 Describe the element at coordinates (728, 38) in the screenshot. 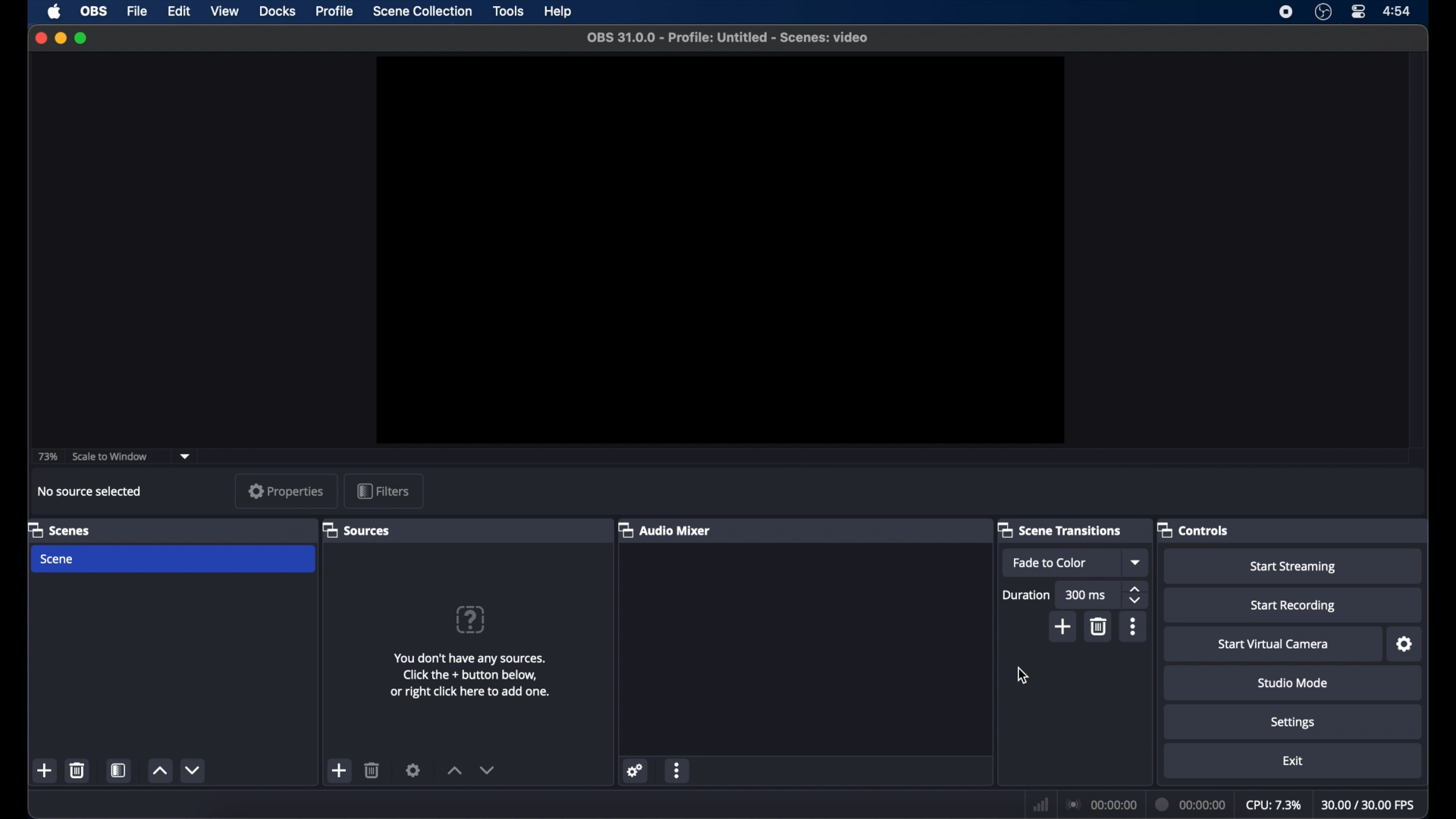

I see `file name` at that location.